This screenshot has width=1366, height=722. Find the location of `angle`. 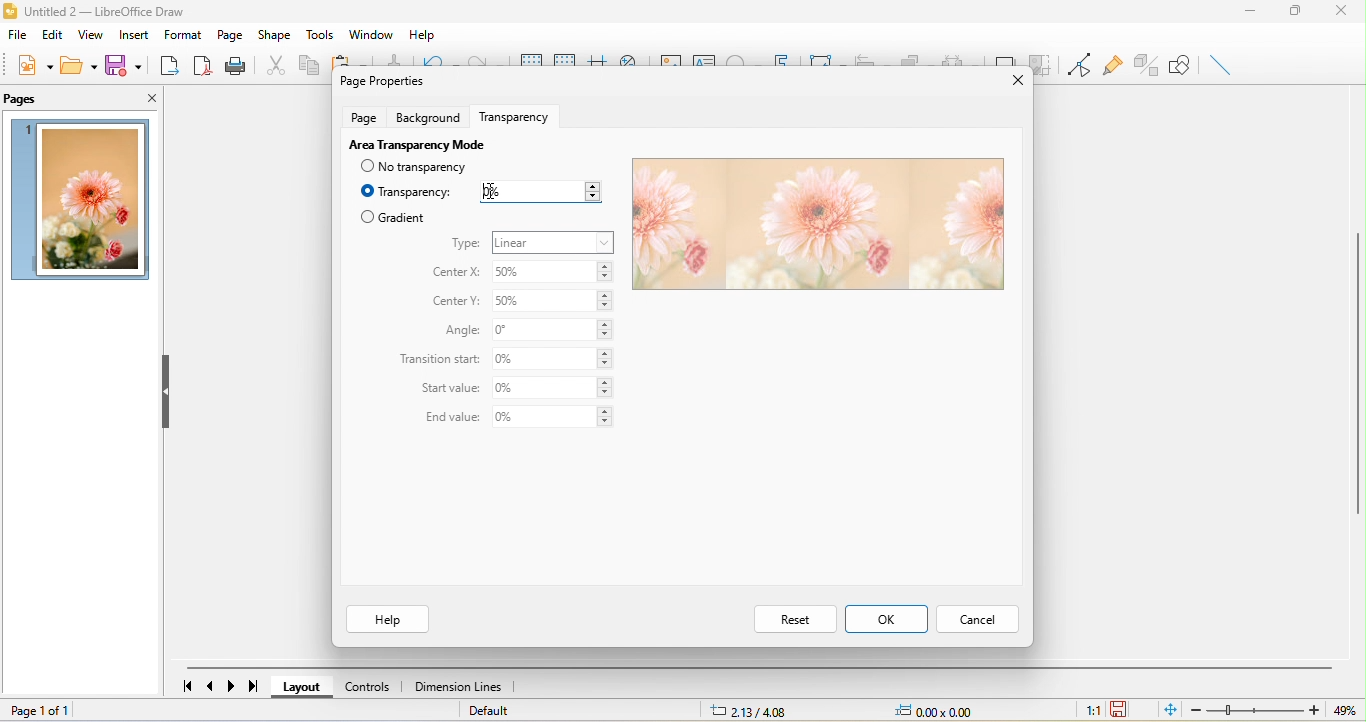

angle is located at coordinates (458, 331).